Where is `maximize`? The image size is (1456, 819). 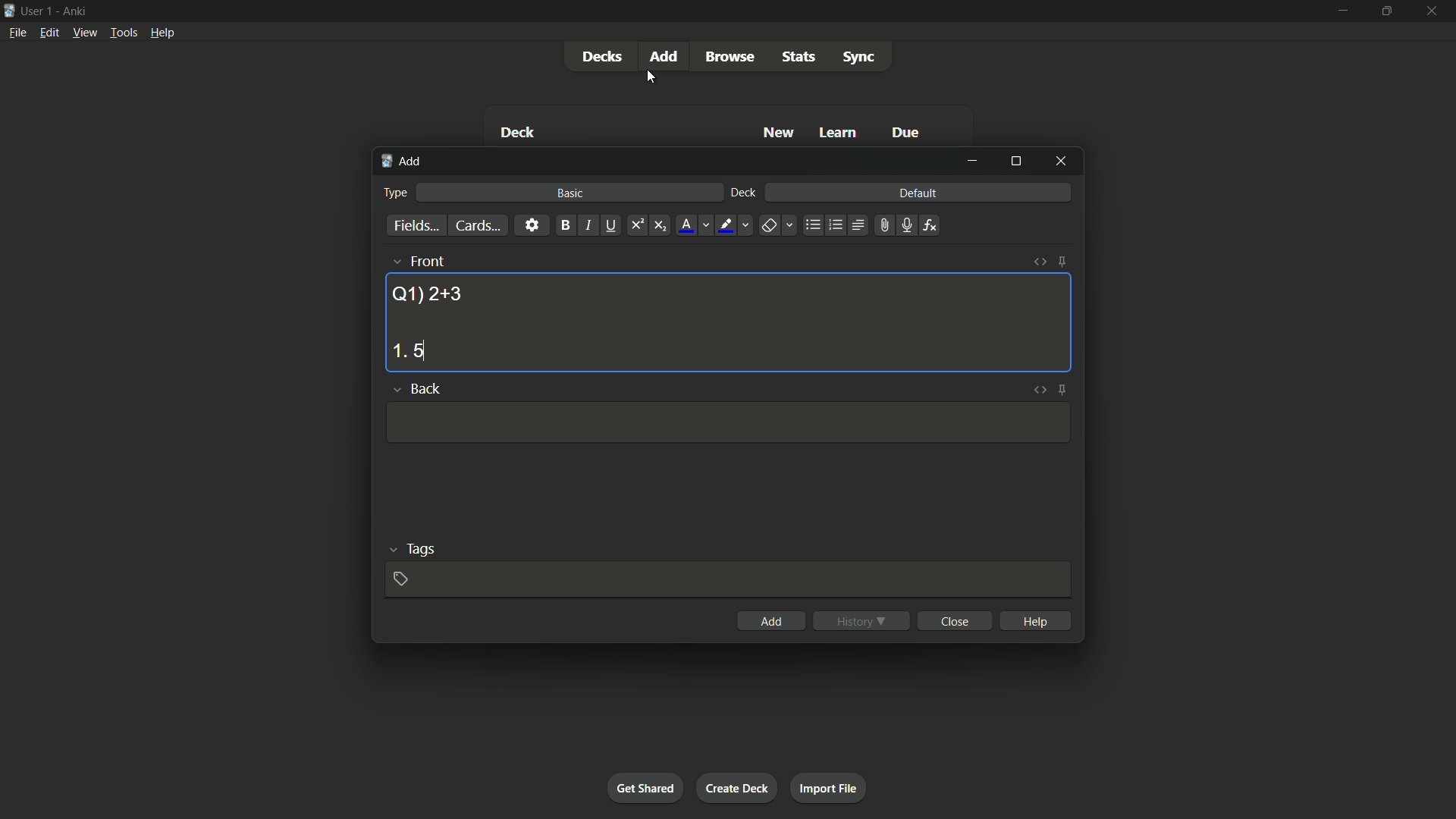
maximize is located at coordinates (1385, 11).